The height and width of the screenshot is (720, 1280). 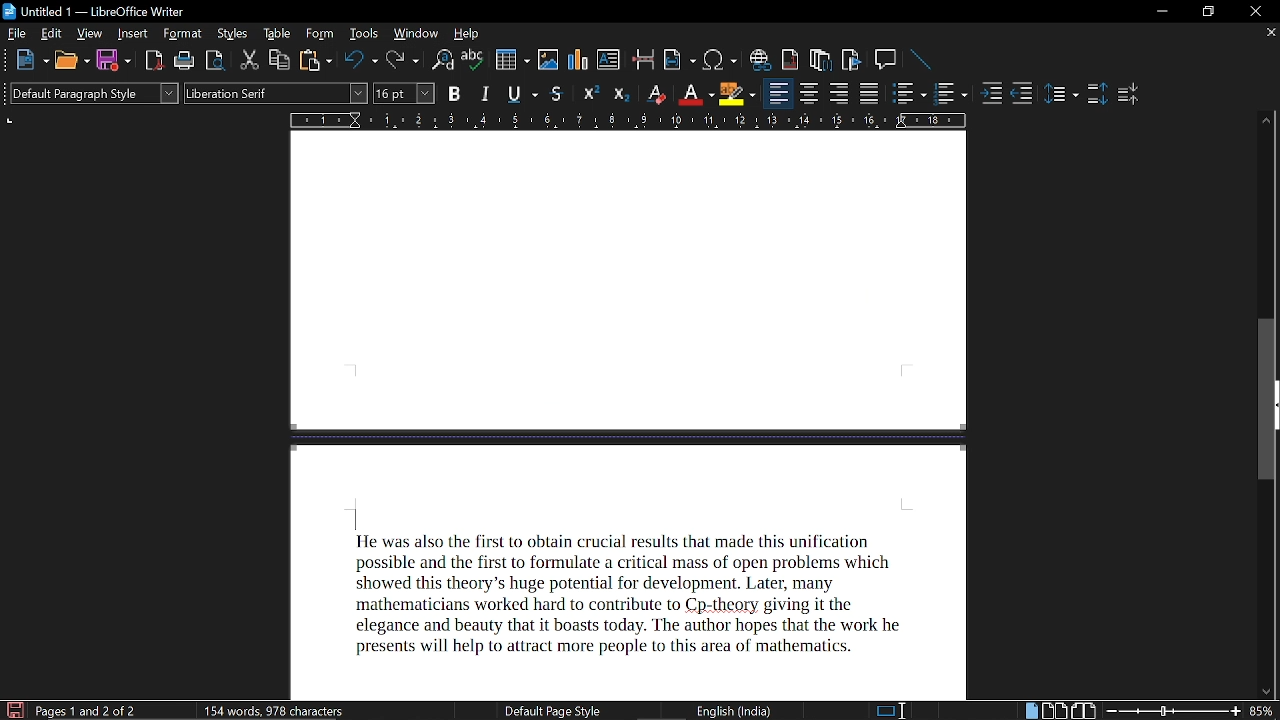 I want to click on Toggle print preview, so click(x=214, y=61).